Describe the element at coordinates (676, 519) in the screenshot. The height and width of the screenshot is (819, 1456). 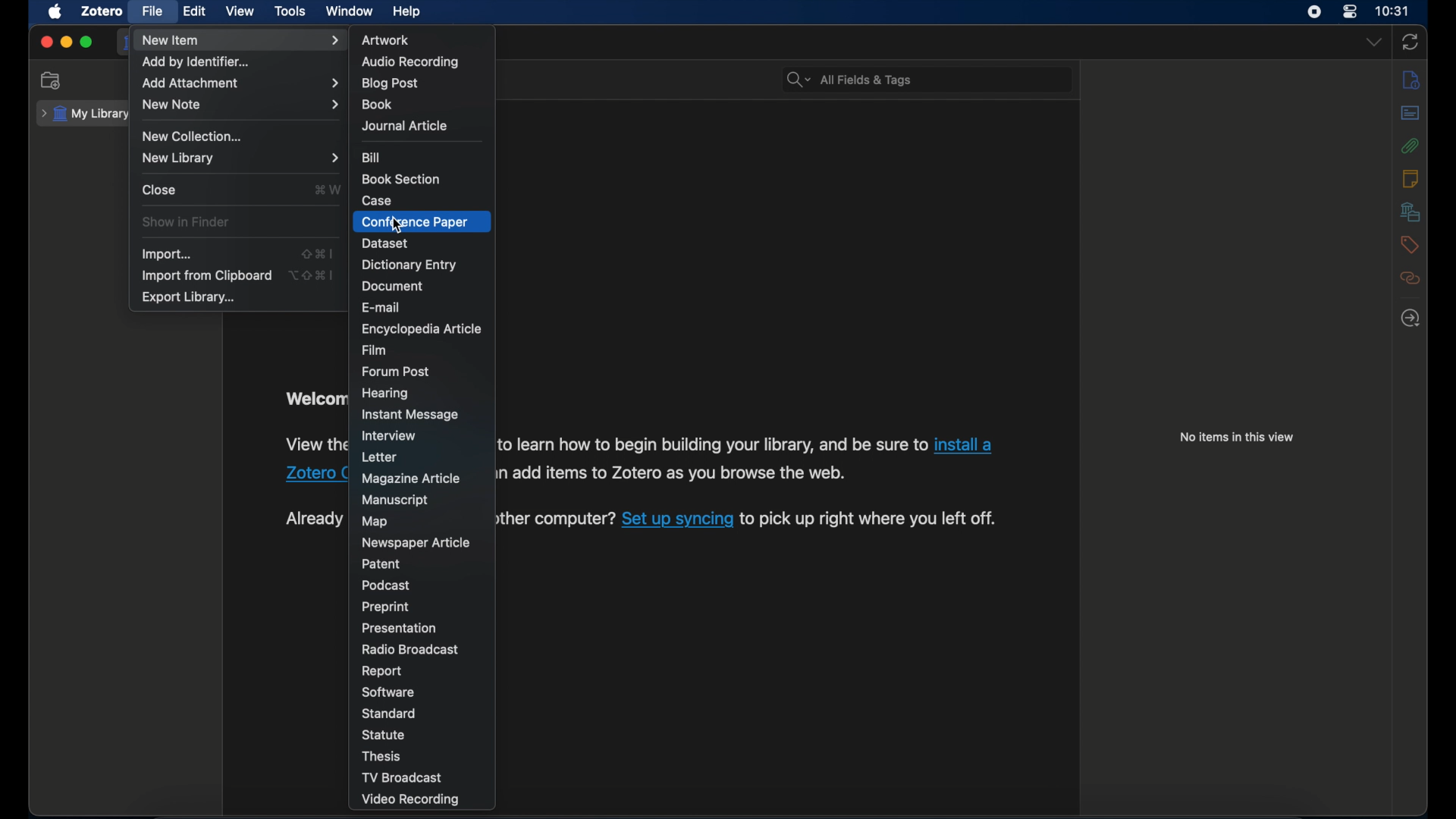
I see `link` at that location.